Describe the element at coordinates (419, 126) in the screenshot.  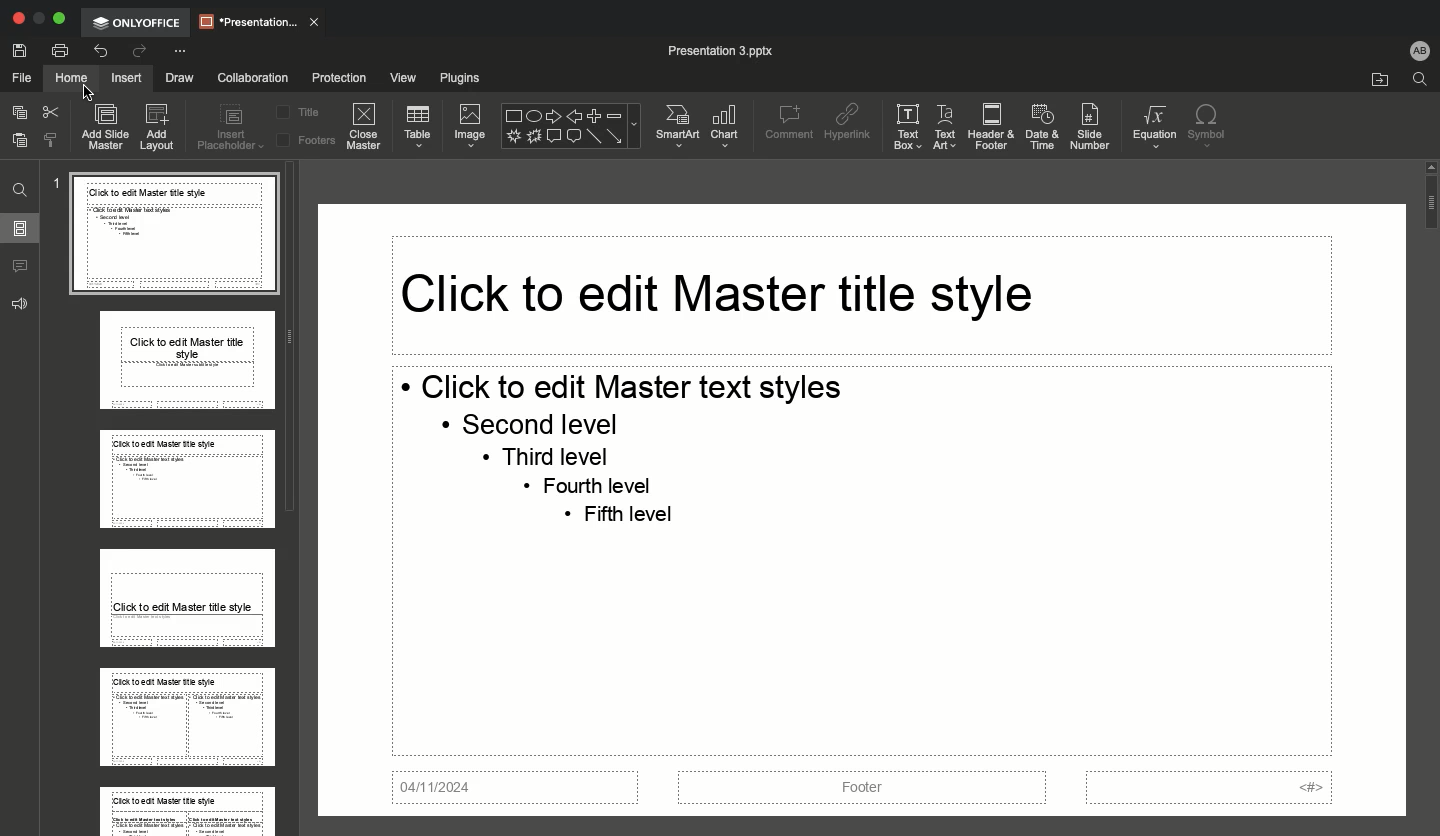
I see `Table` at that location.